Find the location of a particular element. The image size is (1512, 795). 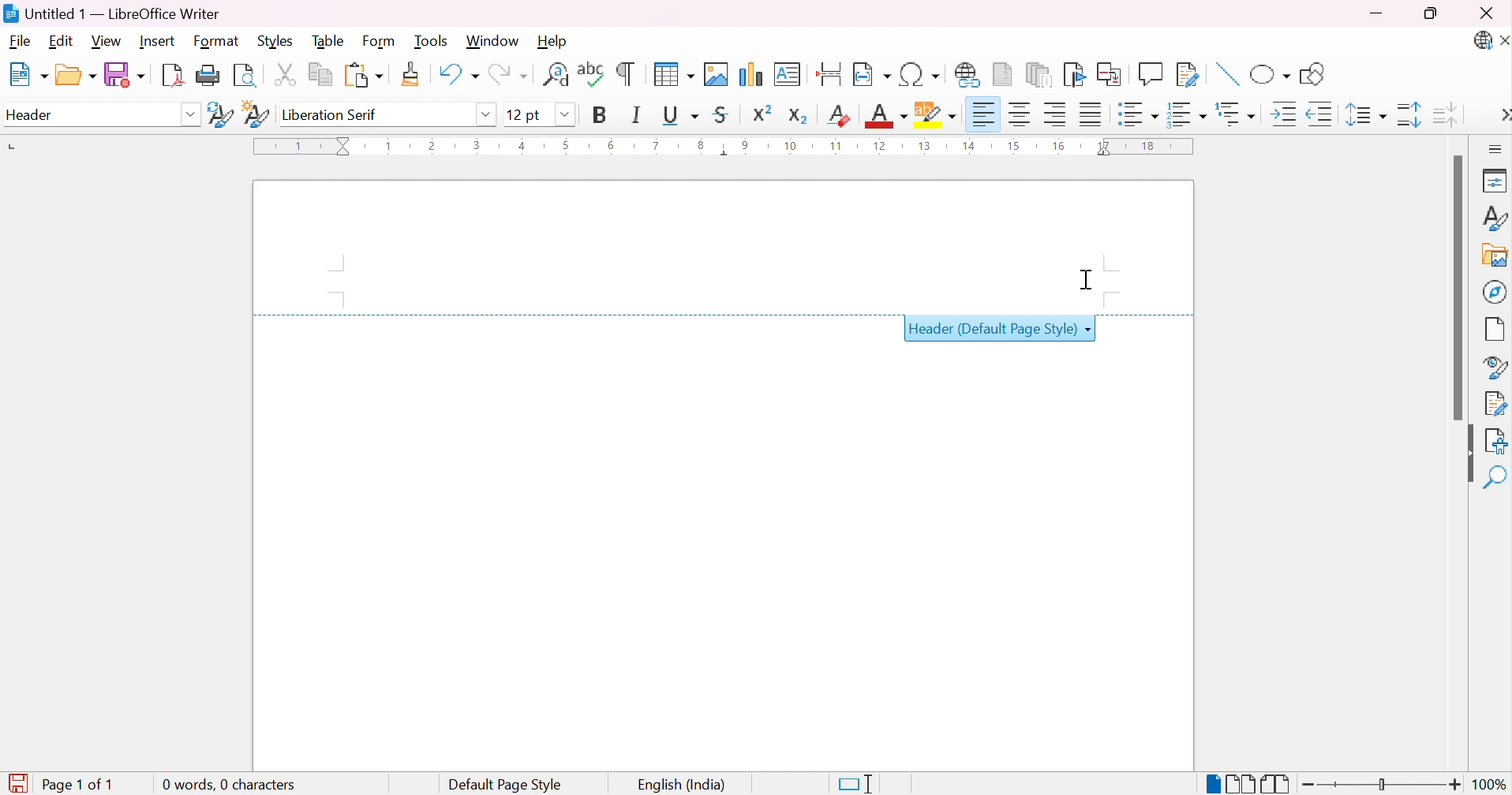

Open is located at coordinates (77, 76).